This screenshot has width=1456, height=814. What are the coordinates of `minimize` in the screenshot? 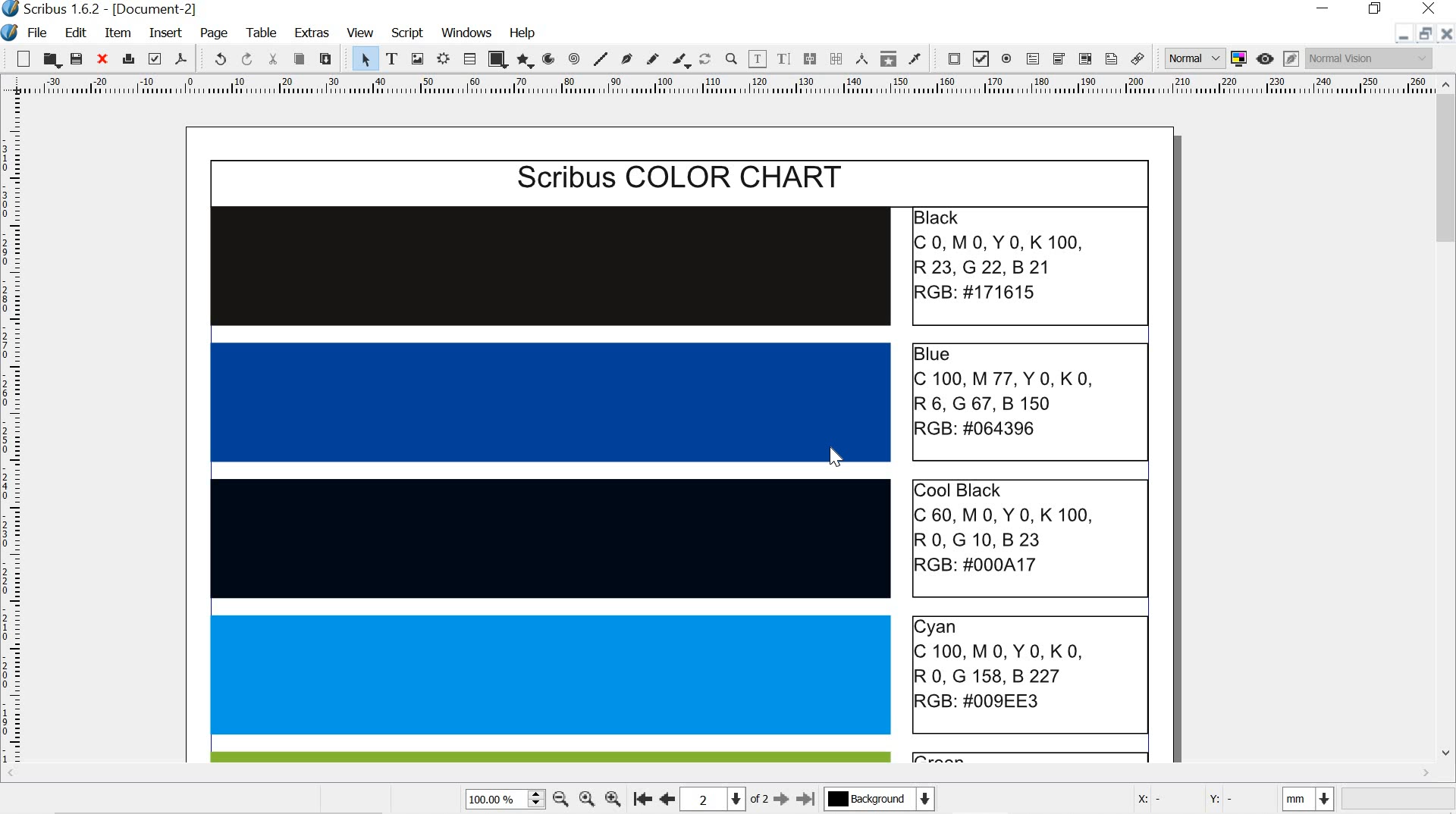 It's located at (1401, 37).